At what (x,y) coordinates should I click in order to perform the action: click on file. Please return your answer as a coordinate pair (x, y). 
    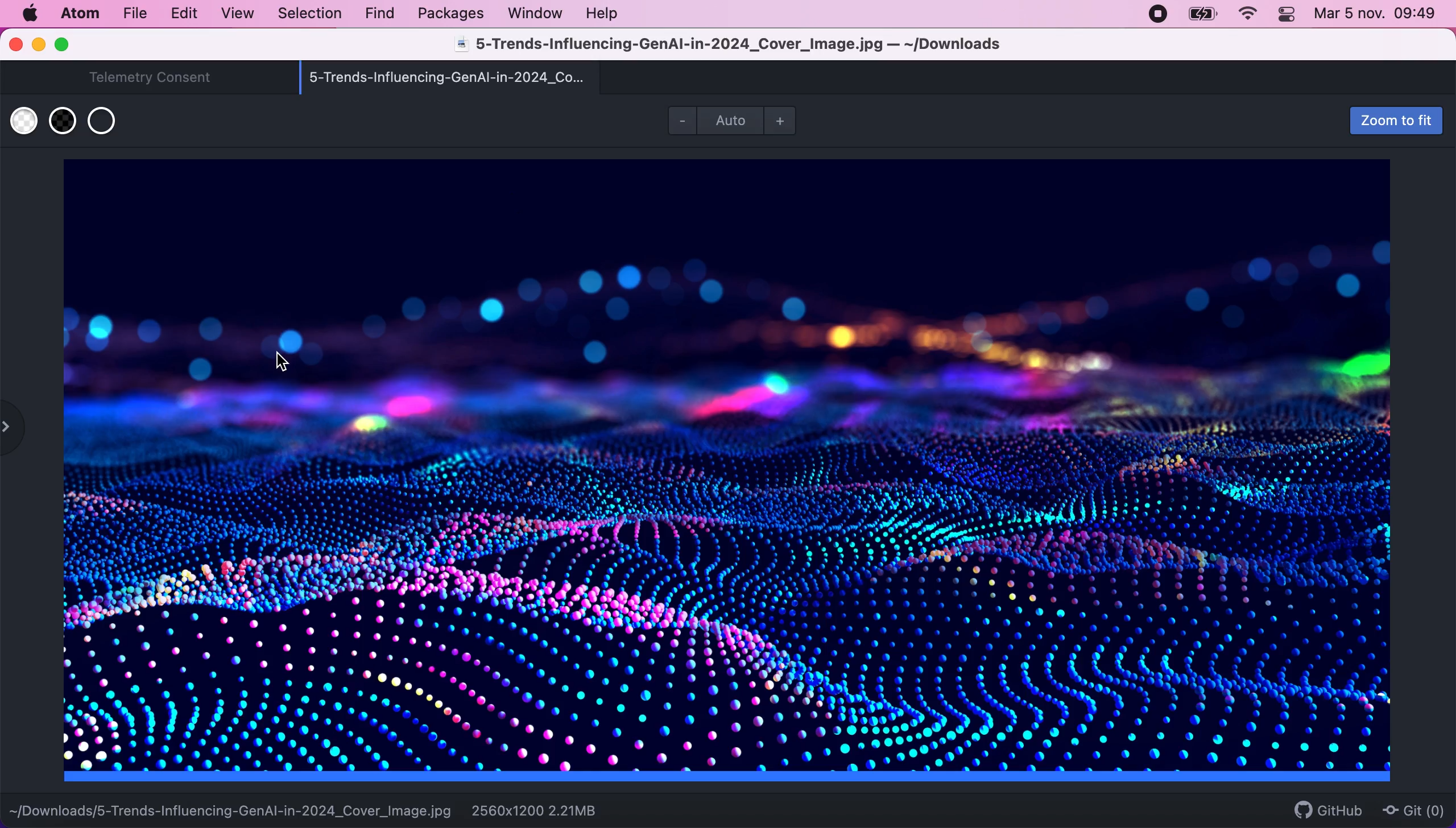
    Looking at the image, I should click on (133, 14).